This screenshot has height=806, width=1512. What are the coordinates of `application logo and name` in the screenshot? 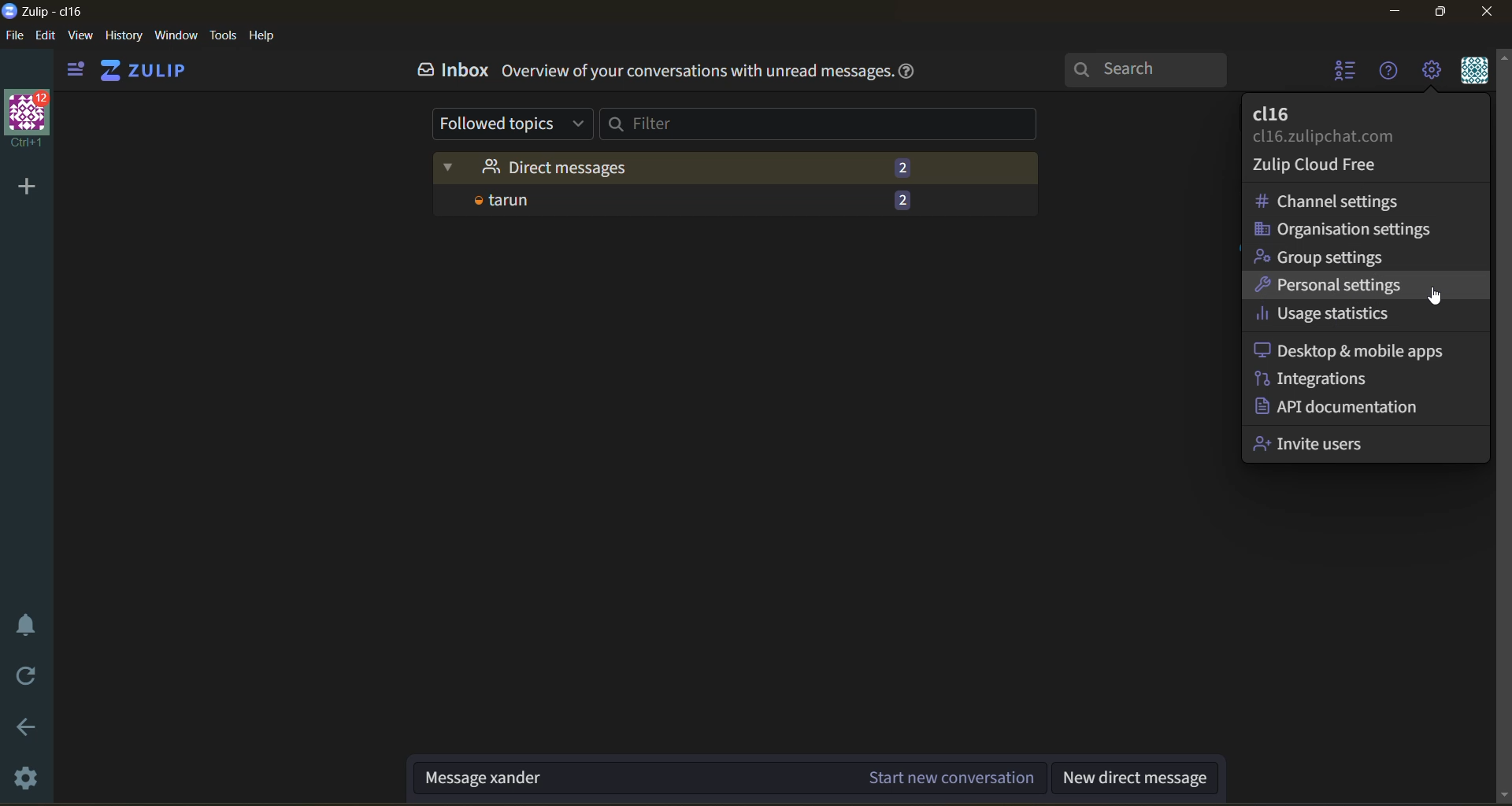 It's located at (47, 10).